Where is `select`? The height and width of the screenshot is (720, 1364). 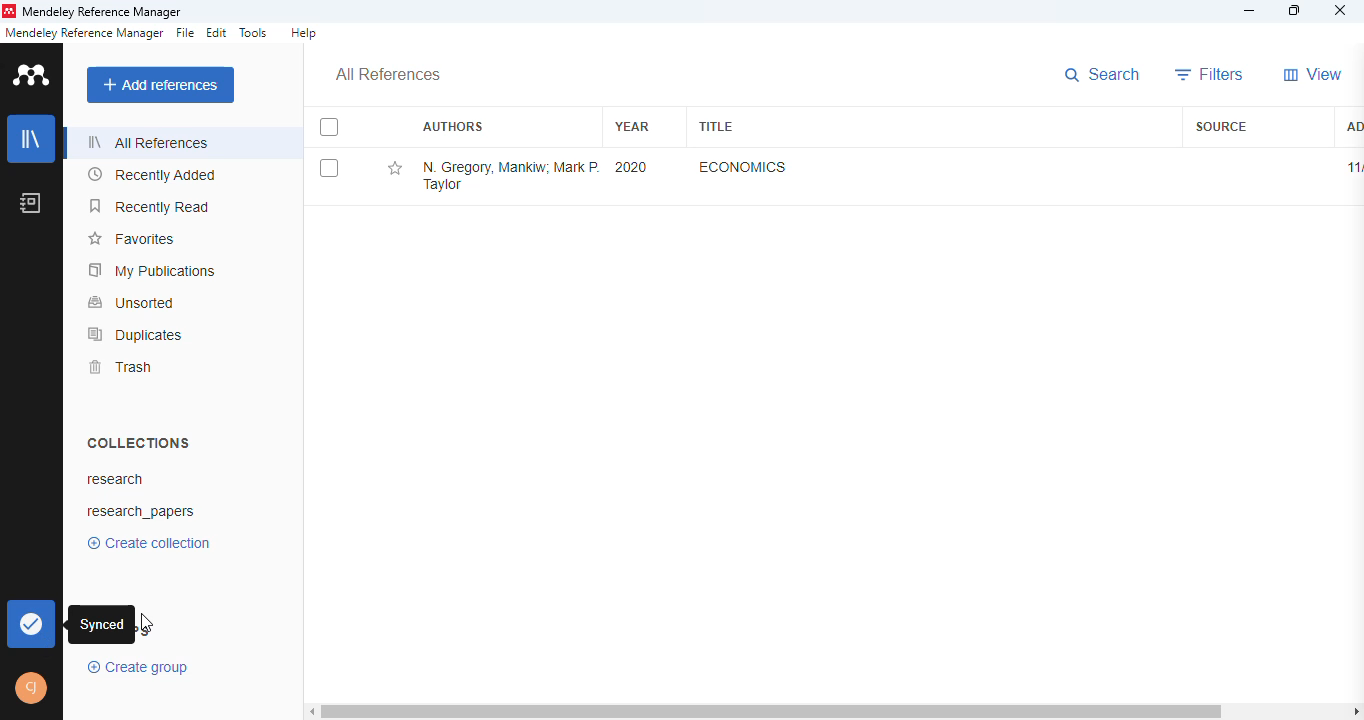
select is located at coordinates (328, 127).